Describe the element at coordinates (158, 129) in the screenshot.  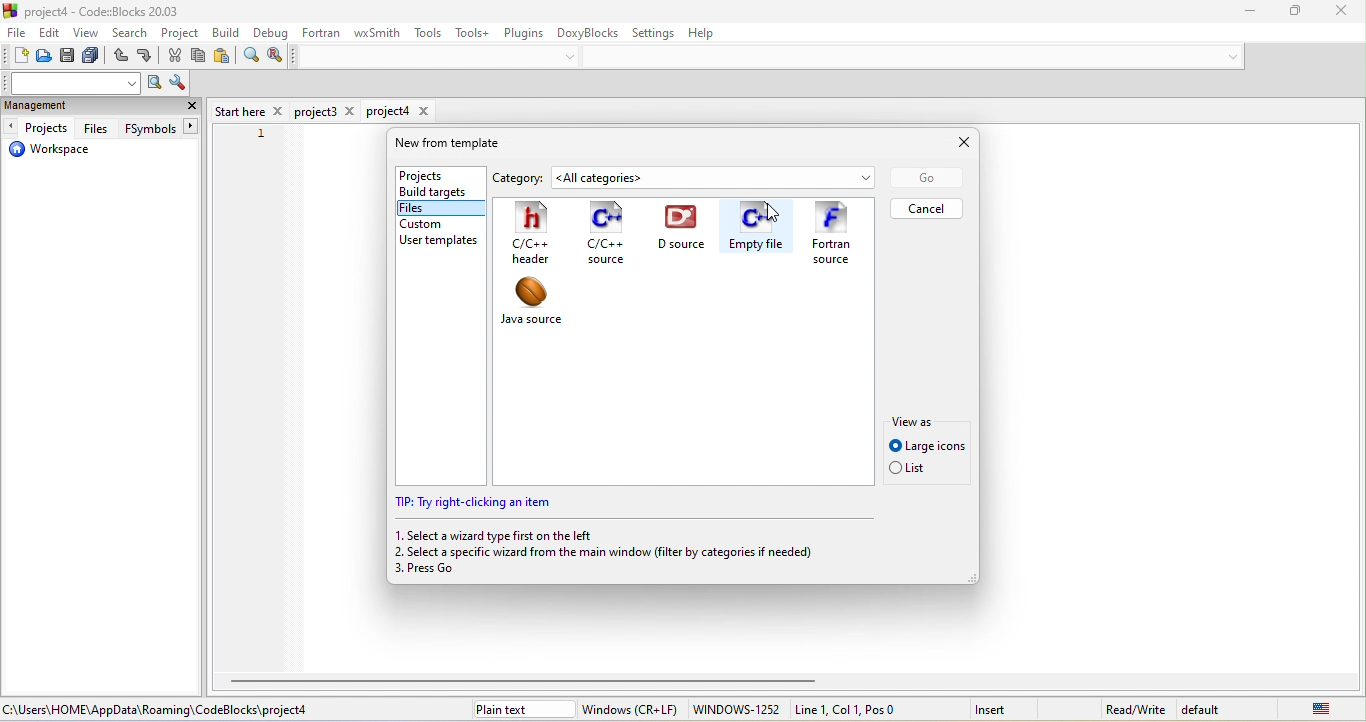
I see `fsymbols` at that location.